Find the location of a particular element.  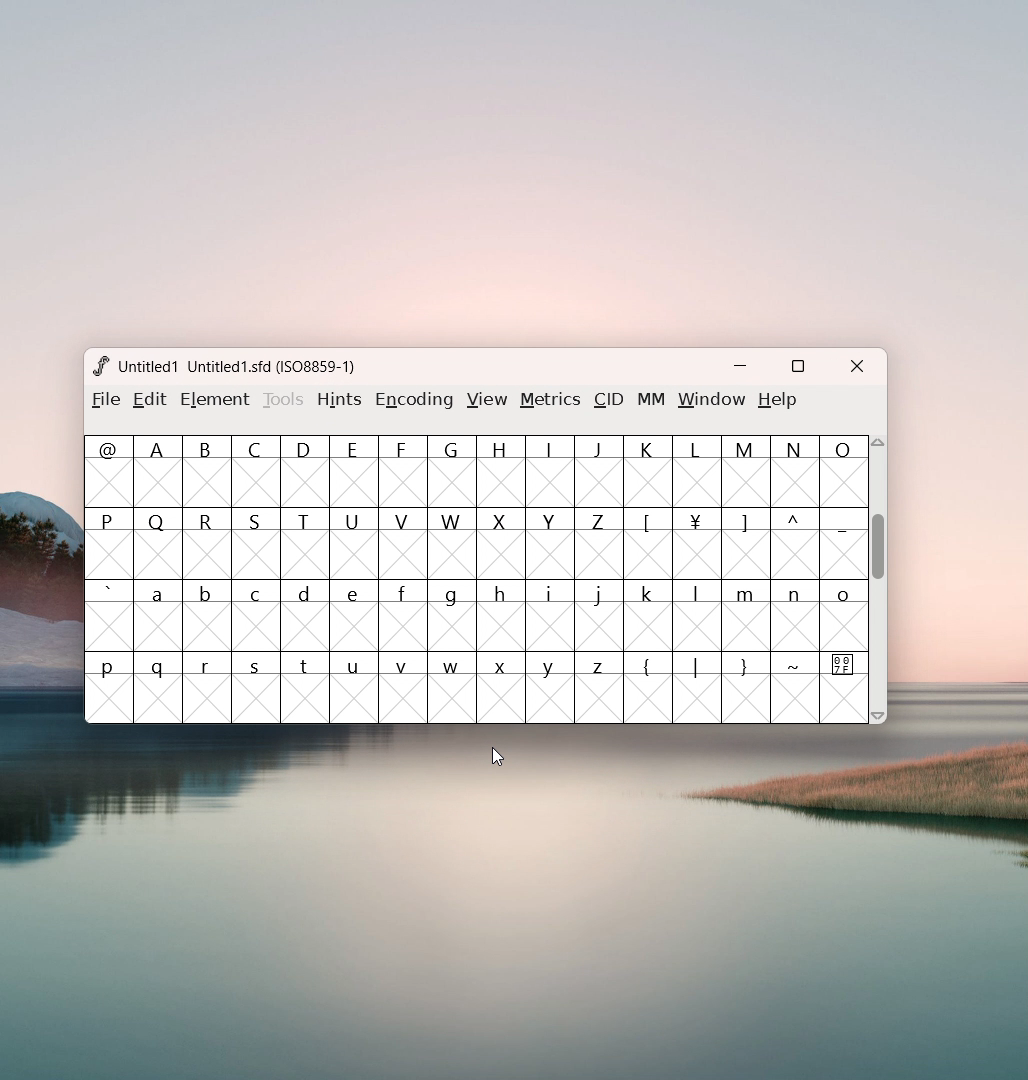

C is located at coordinates (257, 471).